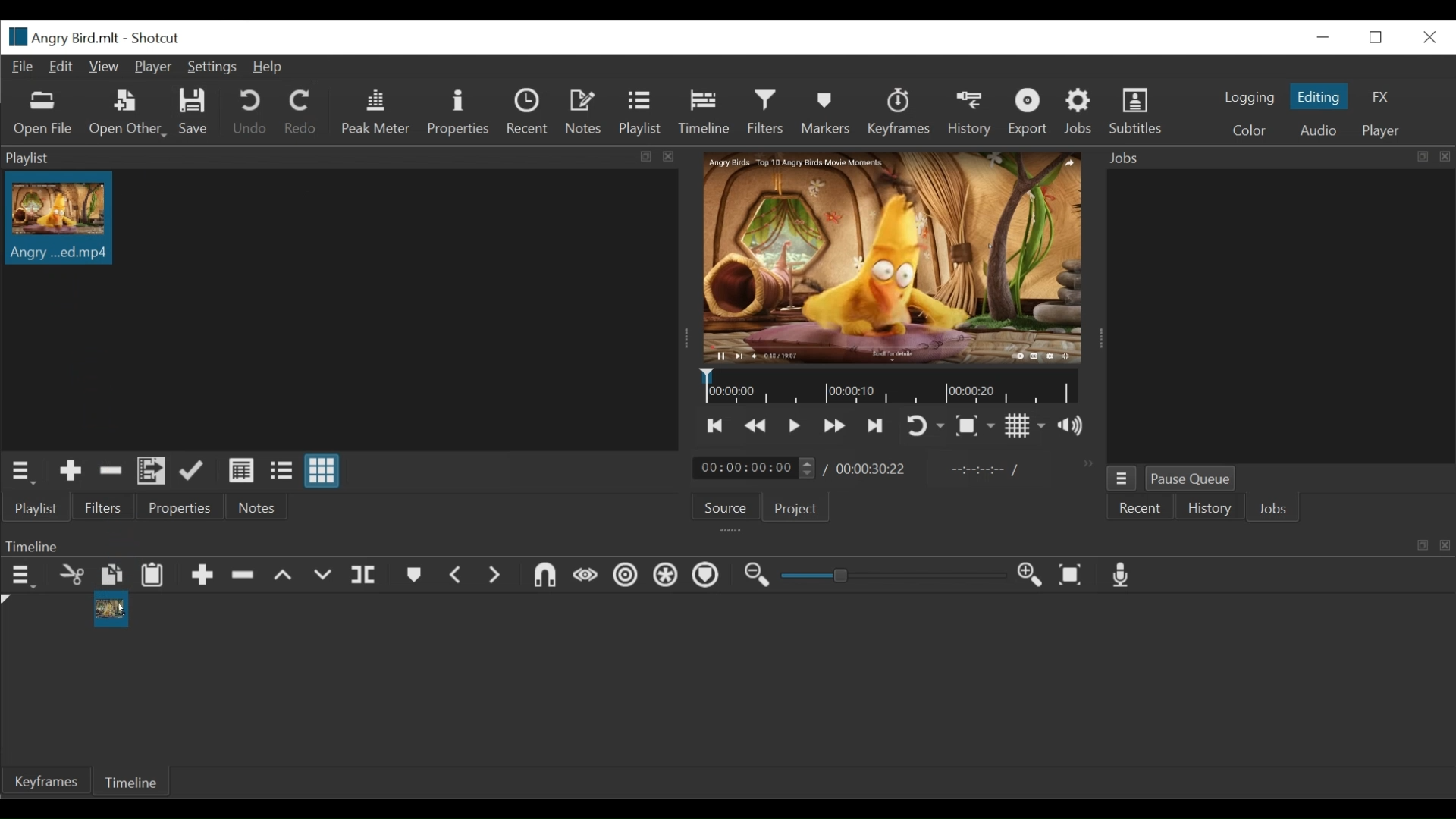 Image resolution: width=1456 pixels, height=819 pixels. Describe the element at coordinates (665, 575) in the screenshot. I see `Ripple all tracks` at that location.